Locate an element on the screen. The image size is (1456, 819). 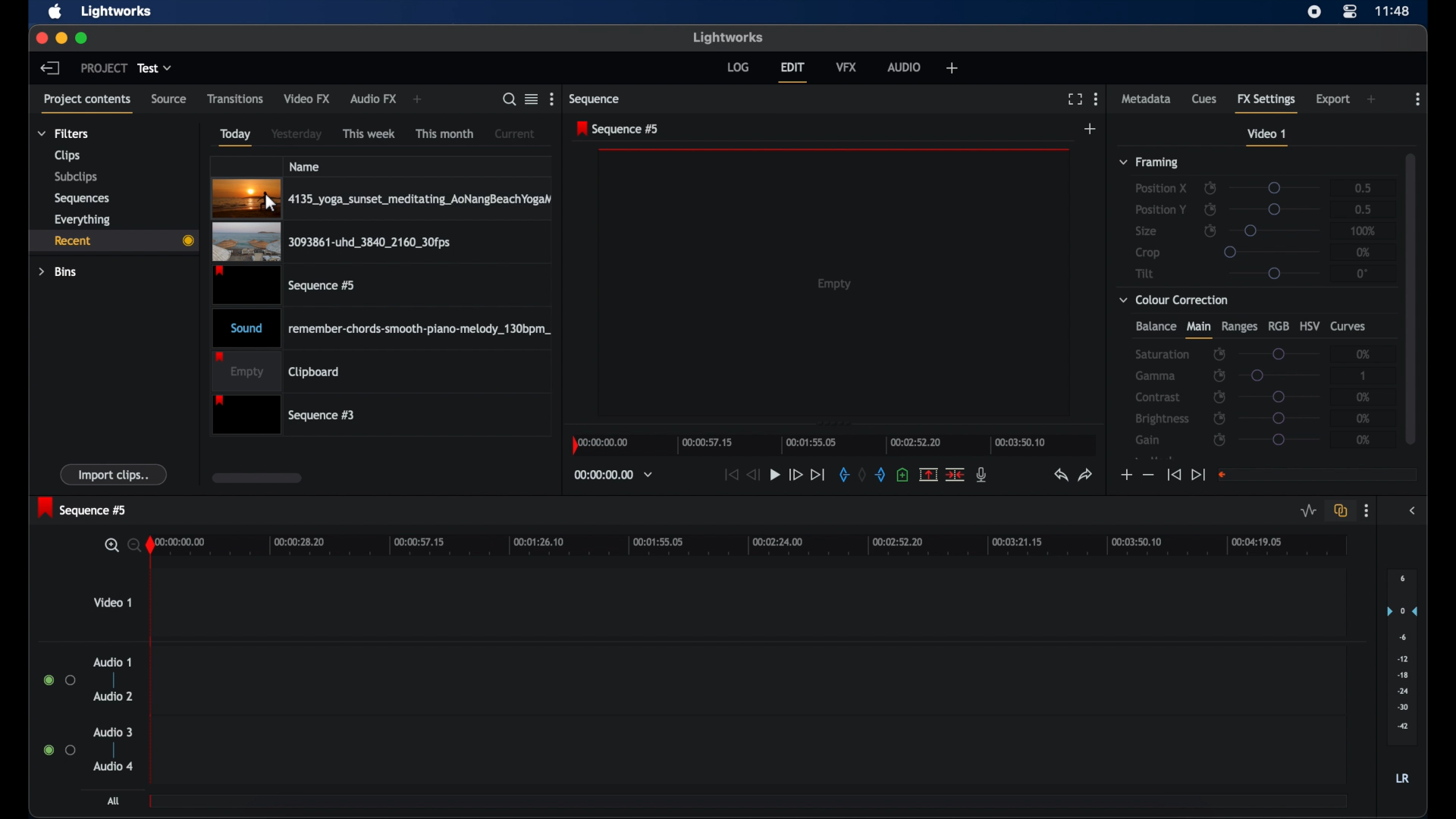
add is located at coordinates (1090, 129).